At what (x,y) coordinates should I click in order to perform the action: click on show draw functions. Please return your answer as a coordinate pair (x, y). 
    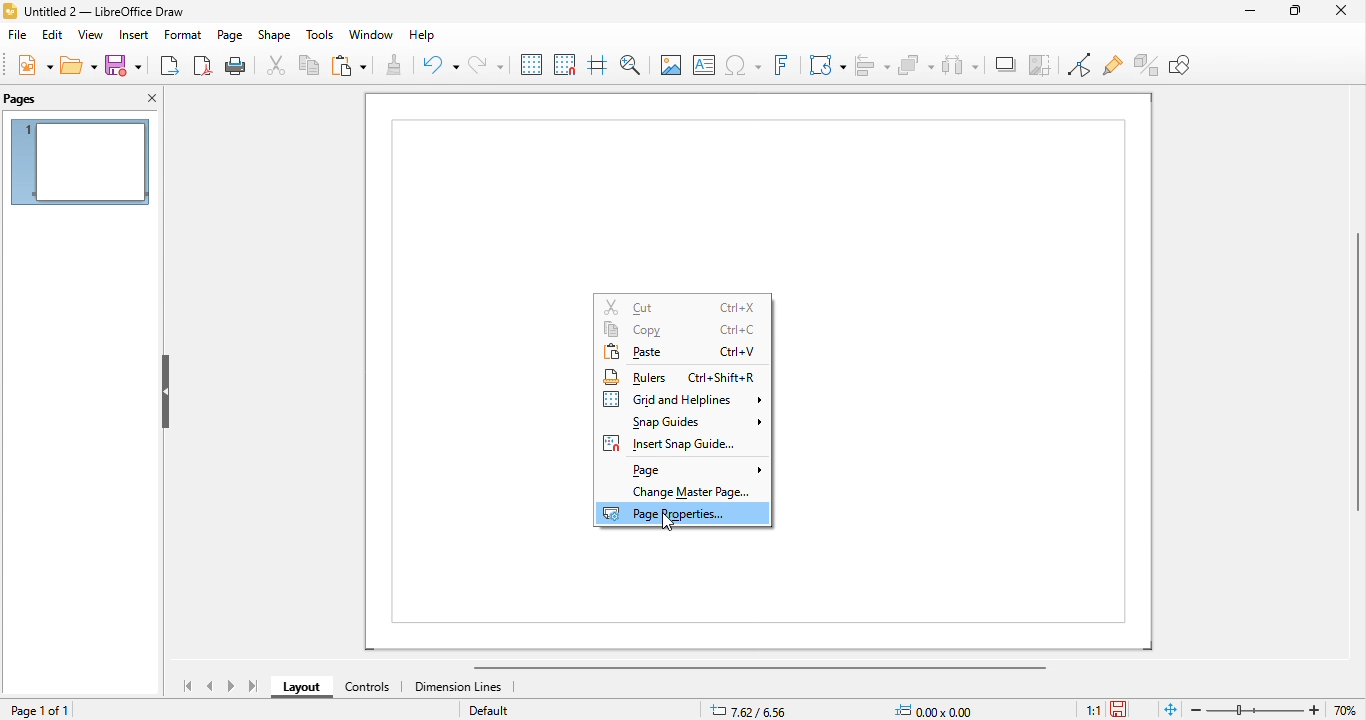
    Looking at the image, I should click on (1192, 71).